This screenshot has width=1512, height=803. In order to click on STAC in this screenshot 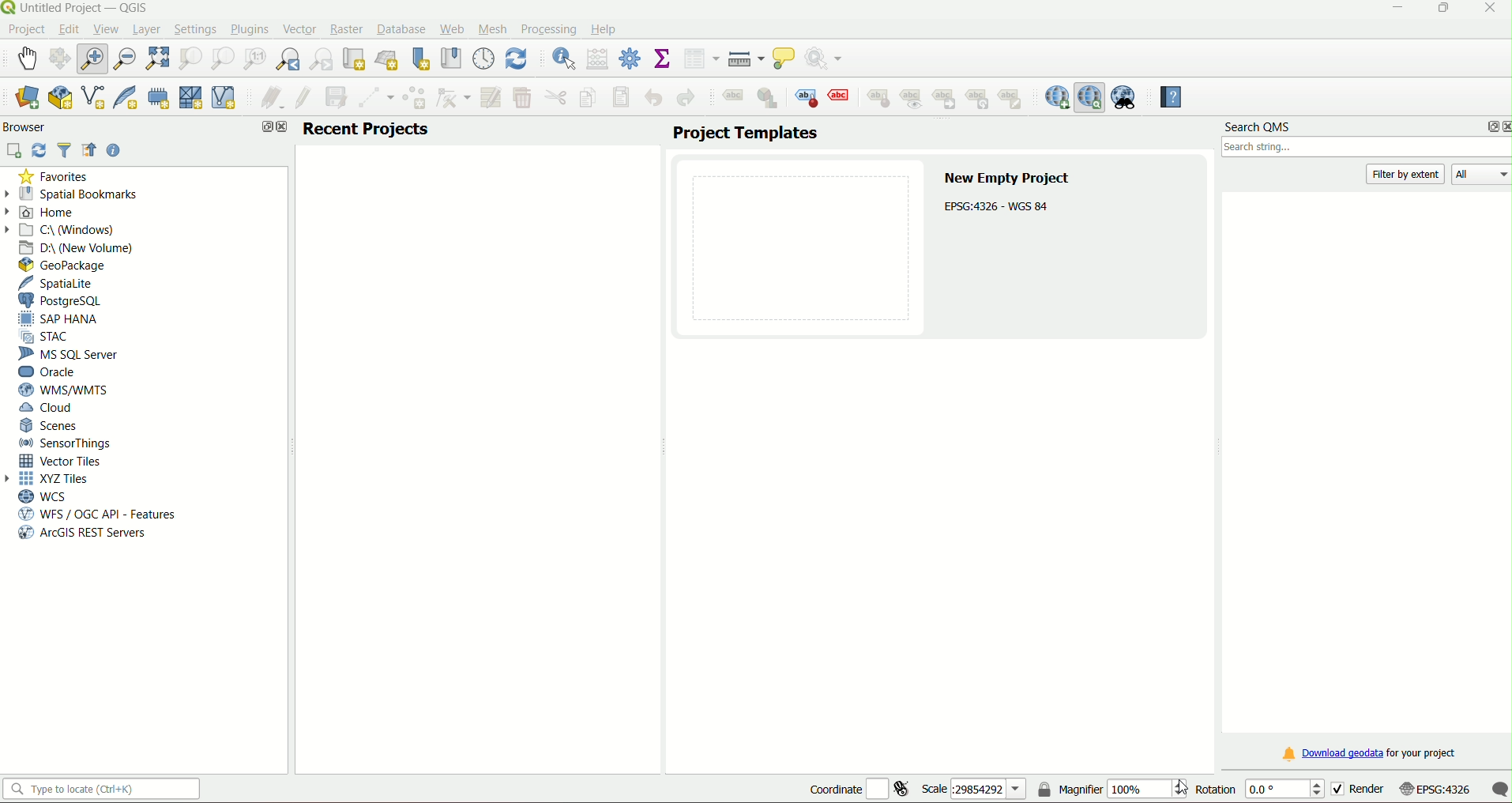, I will do `click(50, 337)`.